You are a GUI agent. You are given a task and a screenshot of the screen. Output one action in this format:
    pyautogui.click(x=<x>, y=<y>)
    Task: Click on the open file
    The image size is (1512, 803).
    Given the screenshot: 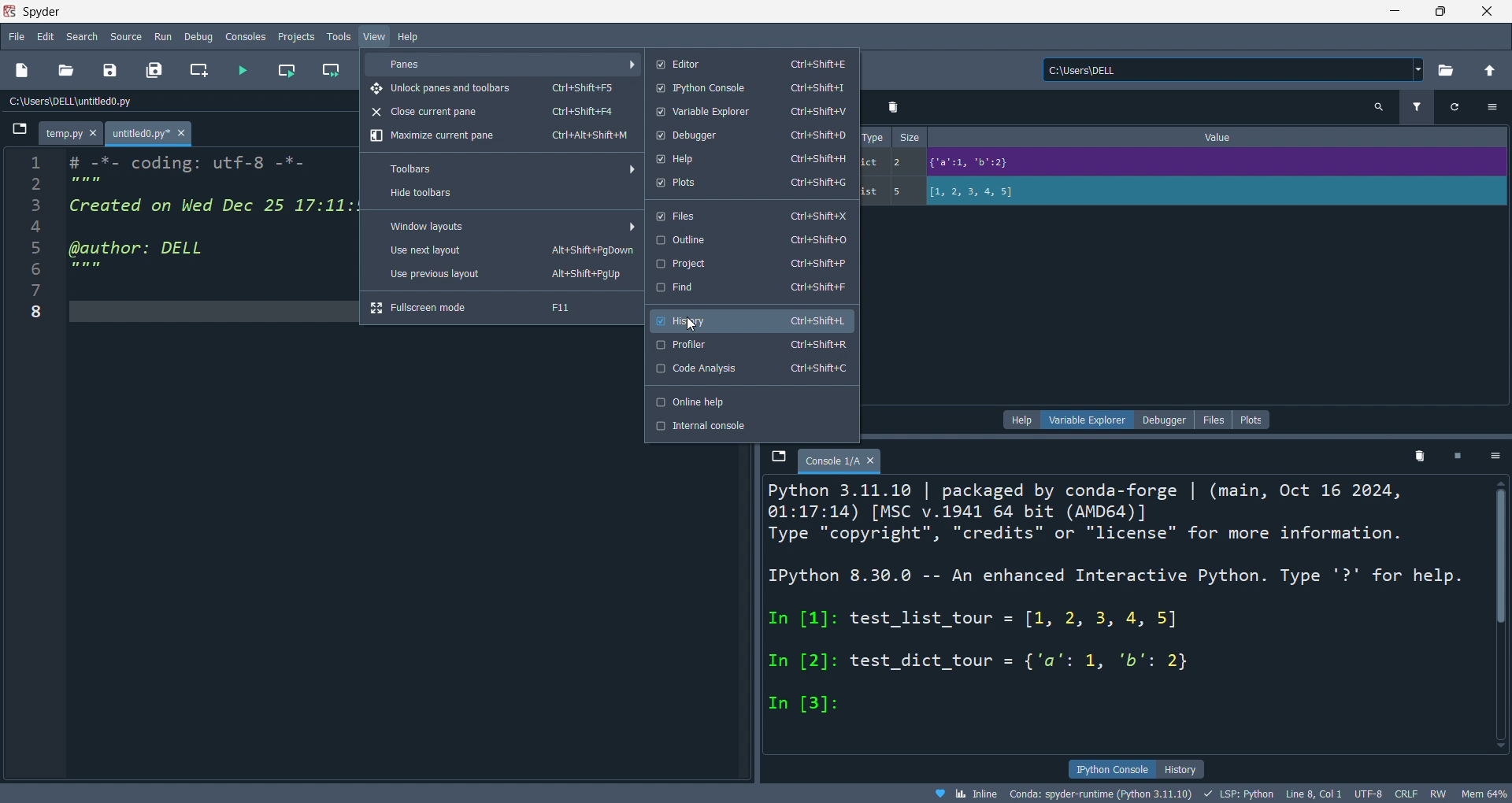 What is the action you would take?
    pyautogui.click(x=65, y=71)
    